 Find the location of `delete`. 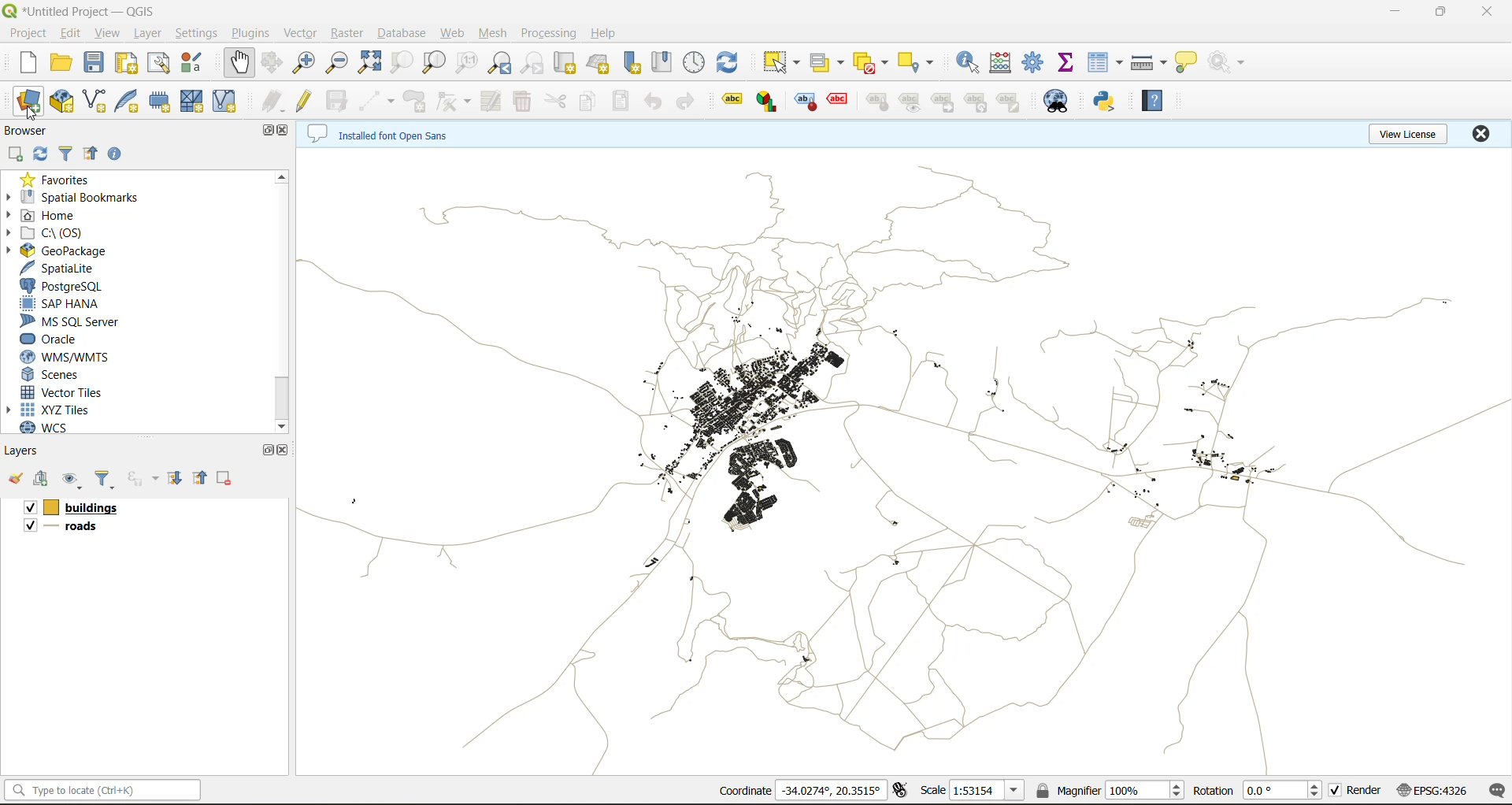

delete is located at coordinates (524, 102).